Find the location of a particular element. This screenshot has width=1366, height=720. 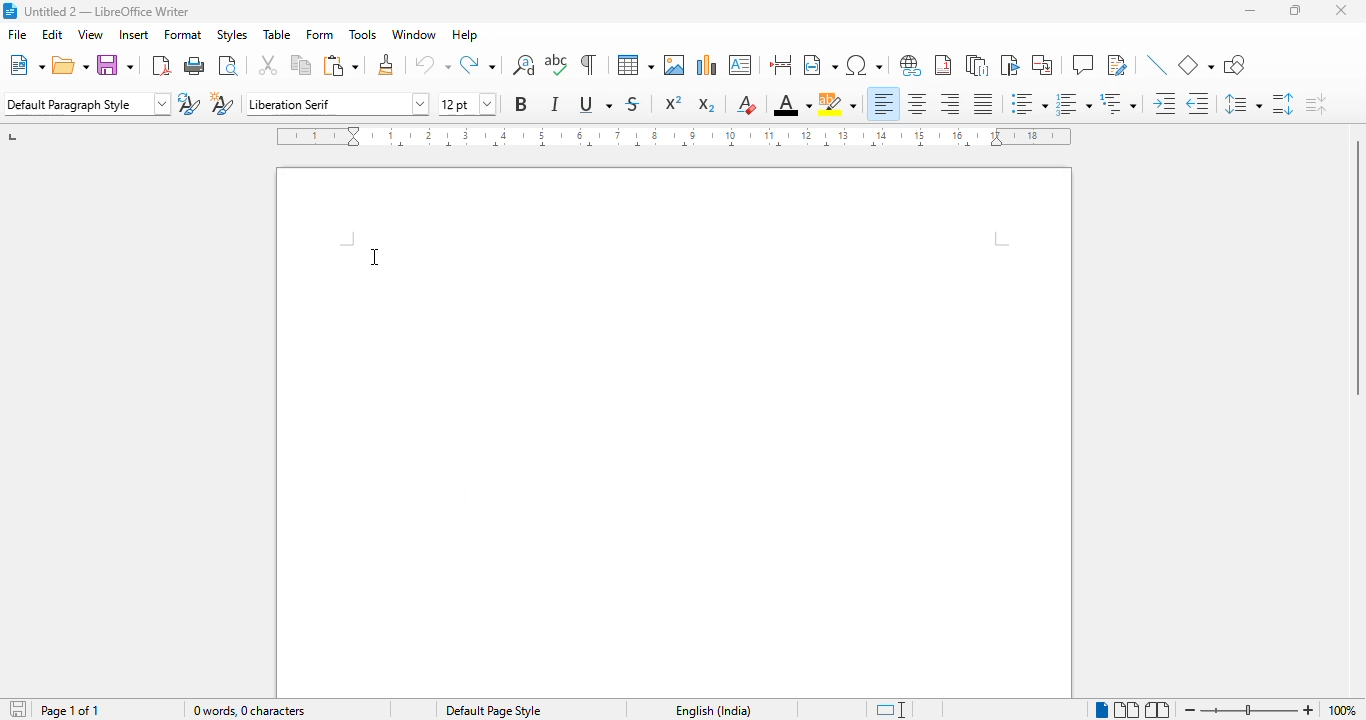

title is located at coordinates (108, 12).